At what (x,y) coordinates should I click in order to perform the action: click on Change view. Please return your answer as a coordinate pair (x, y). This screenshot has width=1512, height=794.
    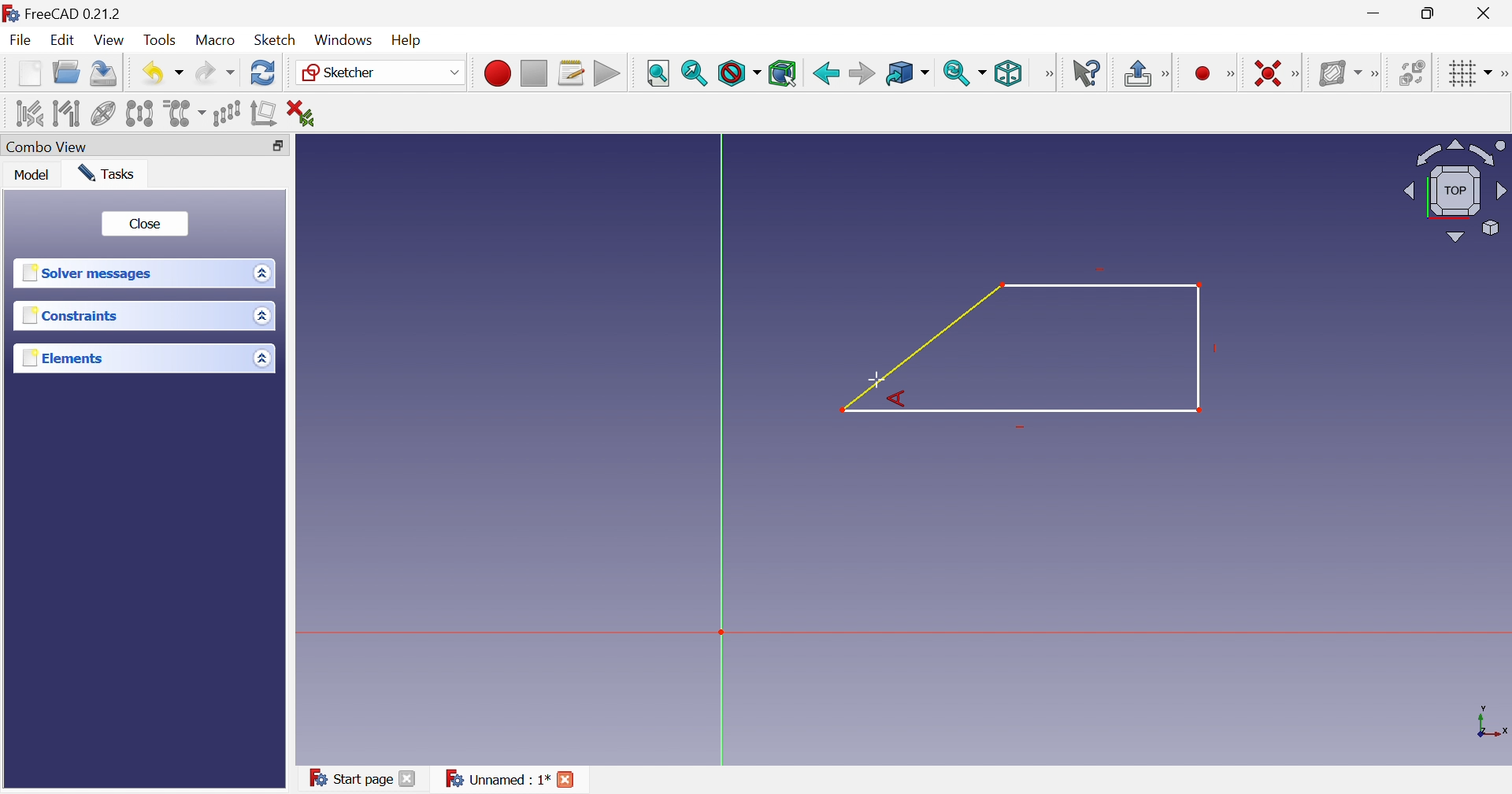
    Looking at the image, I should click on (277, 146).